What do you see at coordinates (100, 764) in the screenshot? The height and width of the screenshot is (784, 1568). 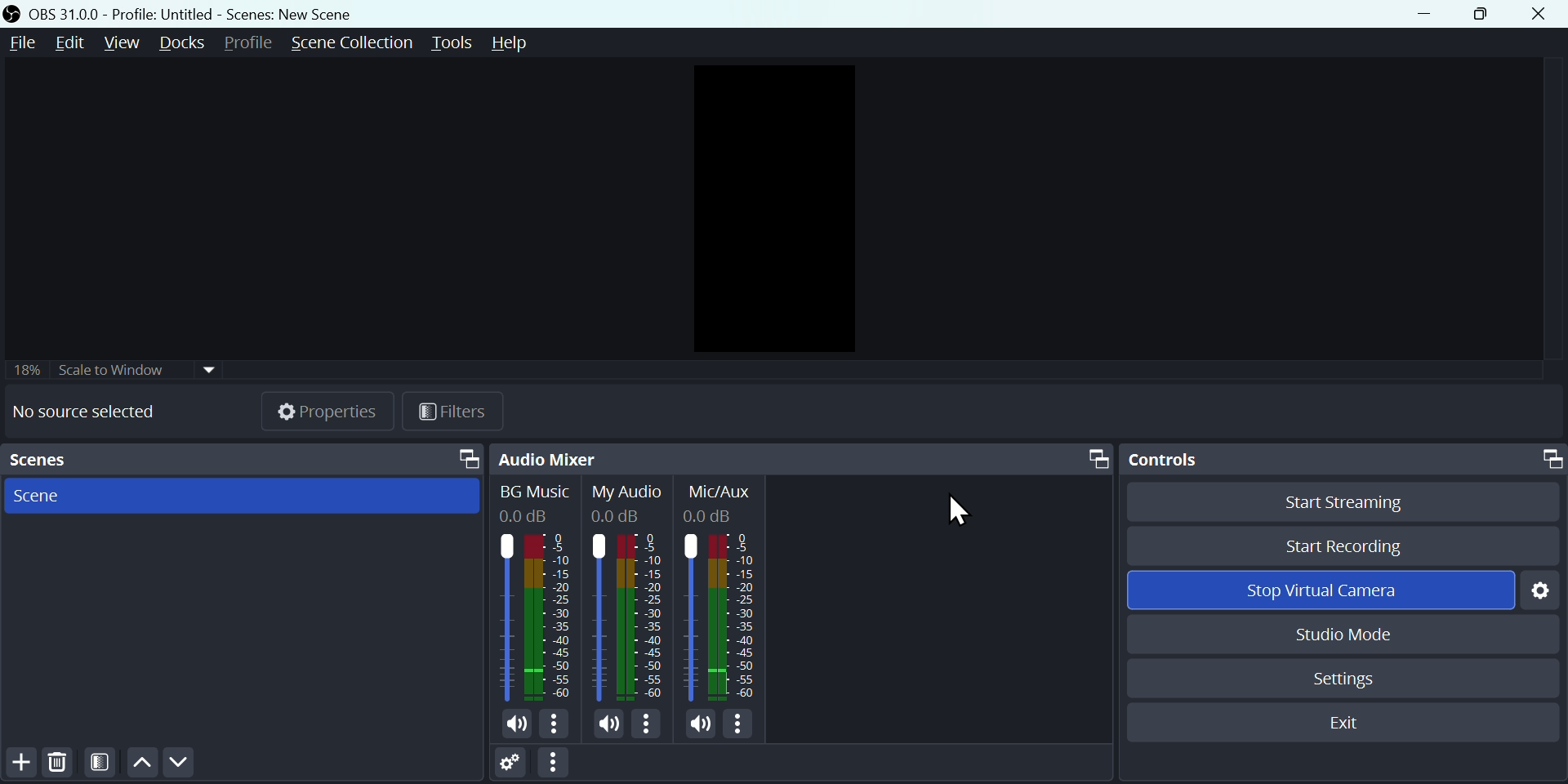 I see `Filter` at bounding box center [100, 764].